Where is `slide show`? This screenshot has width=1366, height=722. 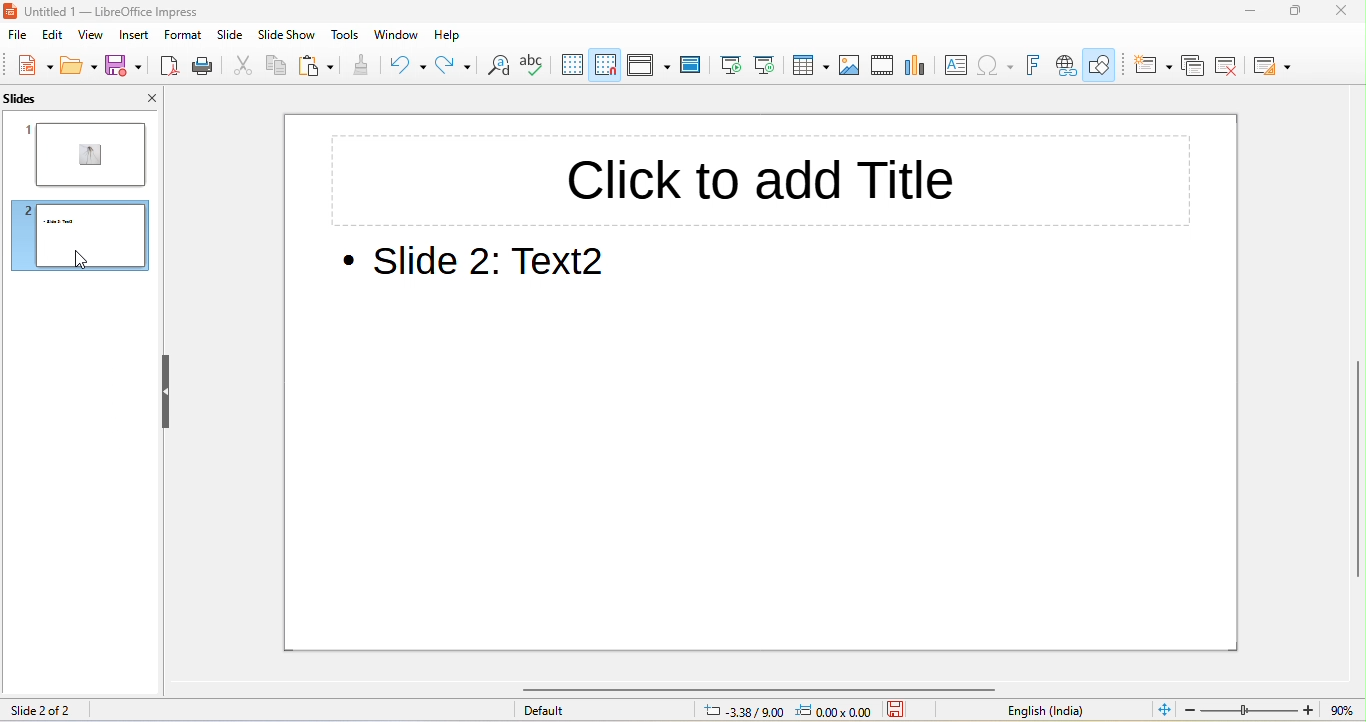
slide show is located at coordinates (288, 37).